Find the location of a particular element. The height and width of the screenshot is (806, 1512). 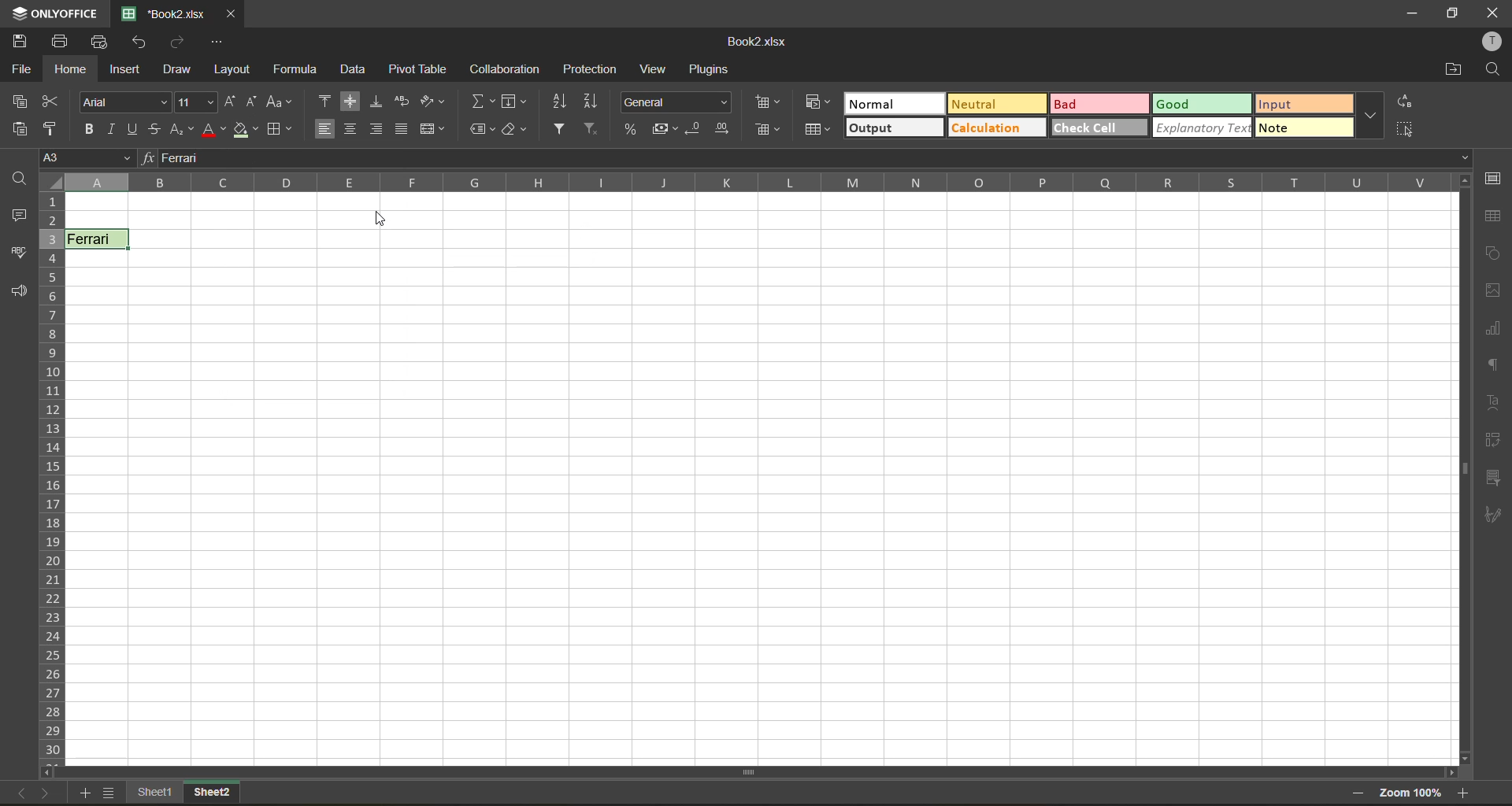

undo is located at coordinates (143, 44).